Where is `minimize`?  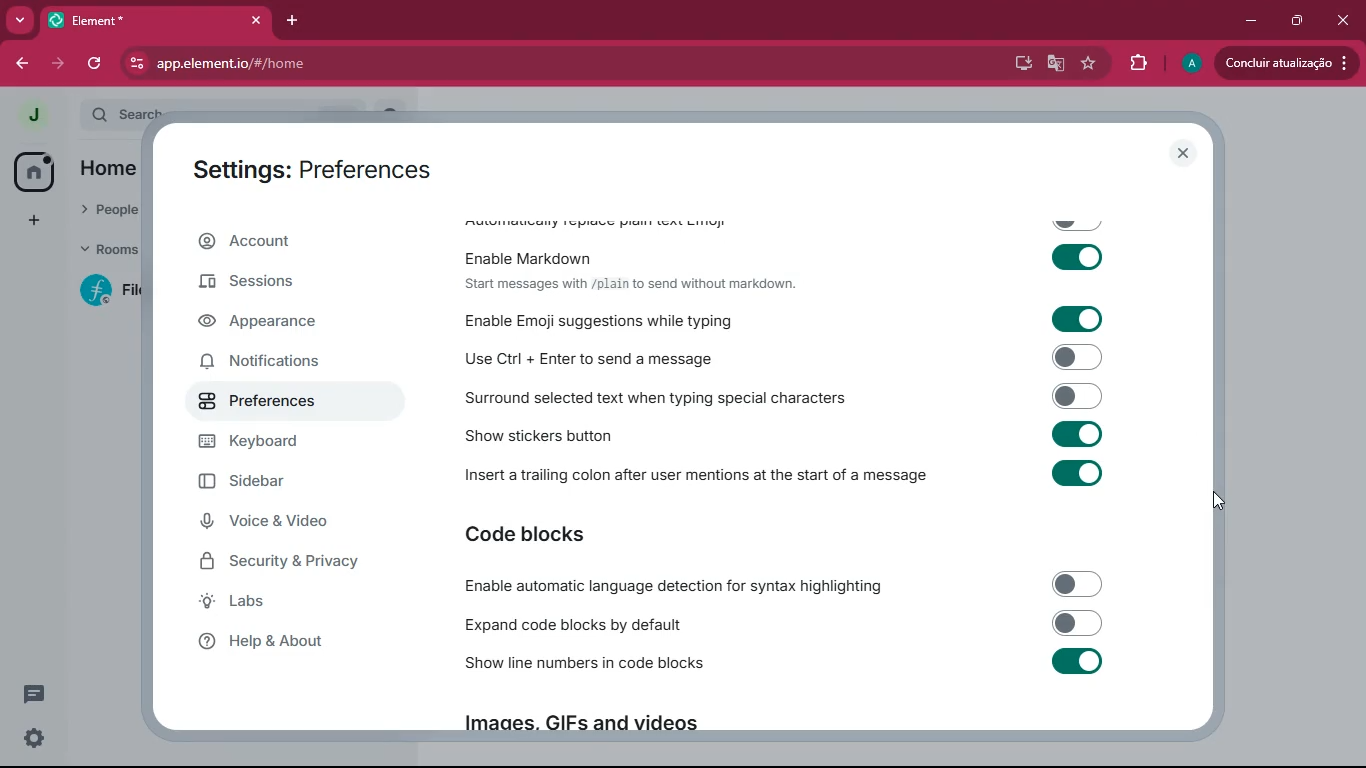
minimize is located at coordinates (1248, 20).